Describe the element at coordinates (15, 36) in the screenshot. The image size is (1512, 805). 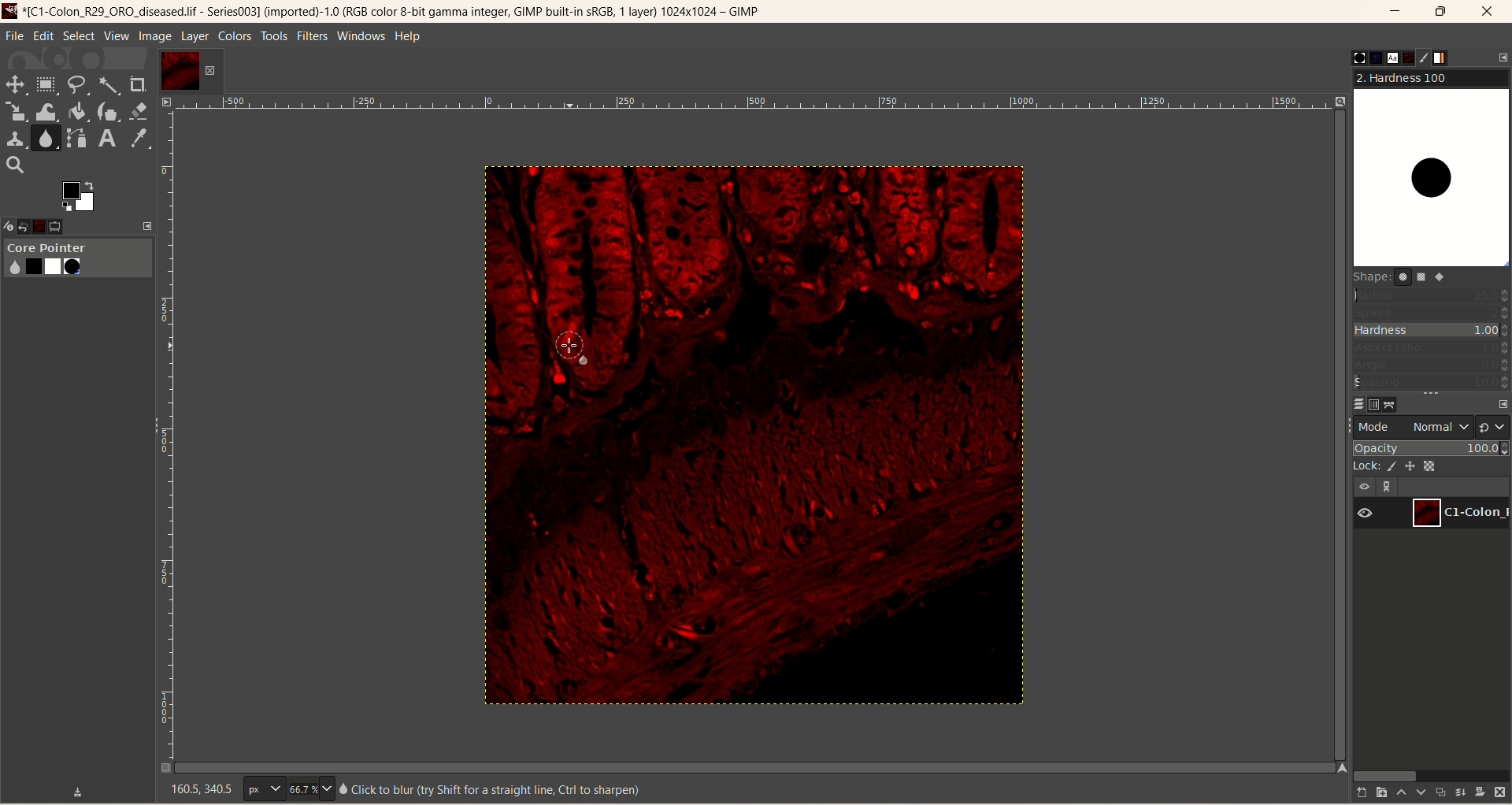
I see `file` at that location.